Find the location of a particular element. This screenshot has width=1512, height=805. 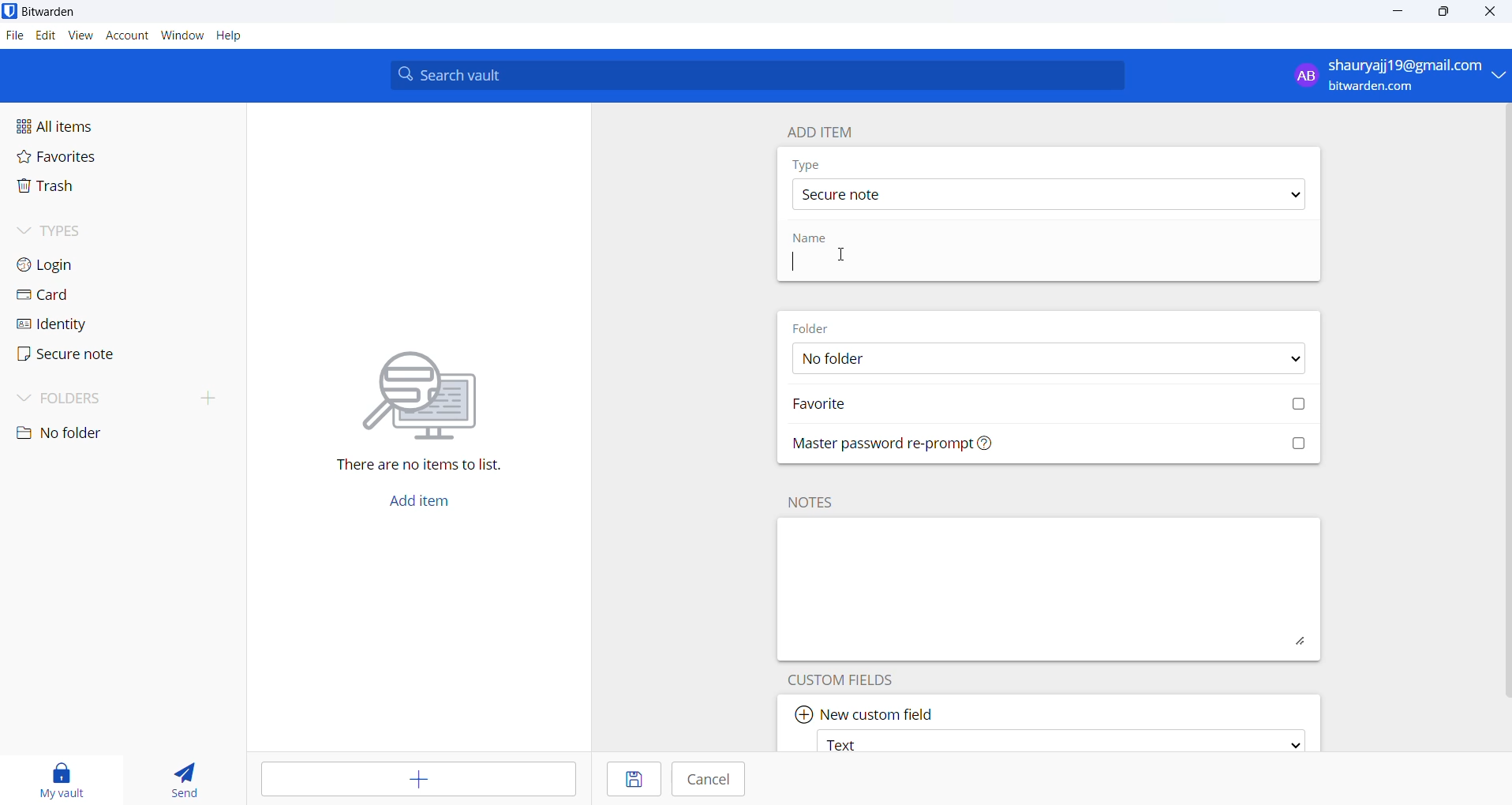

help is located at coordinates (230, 36).